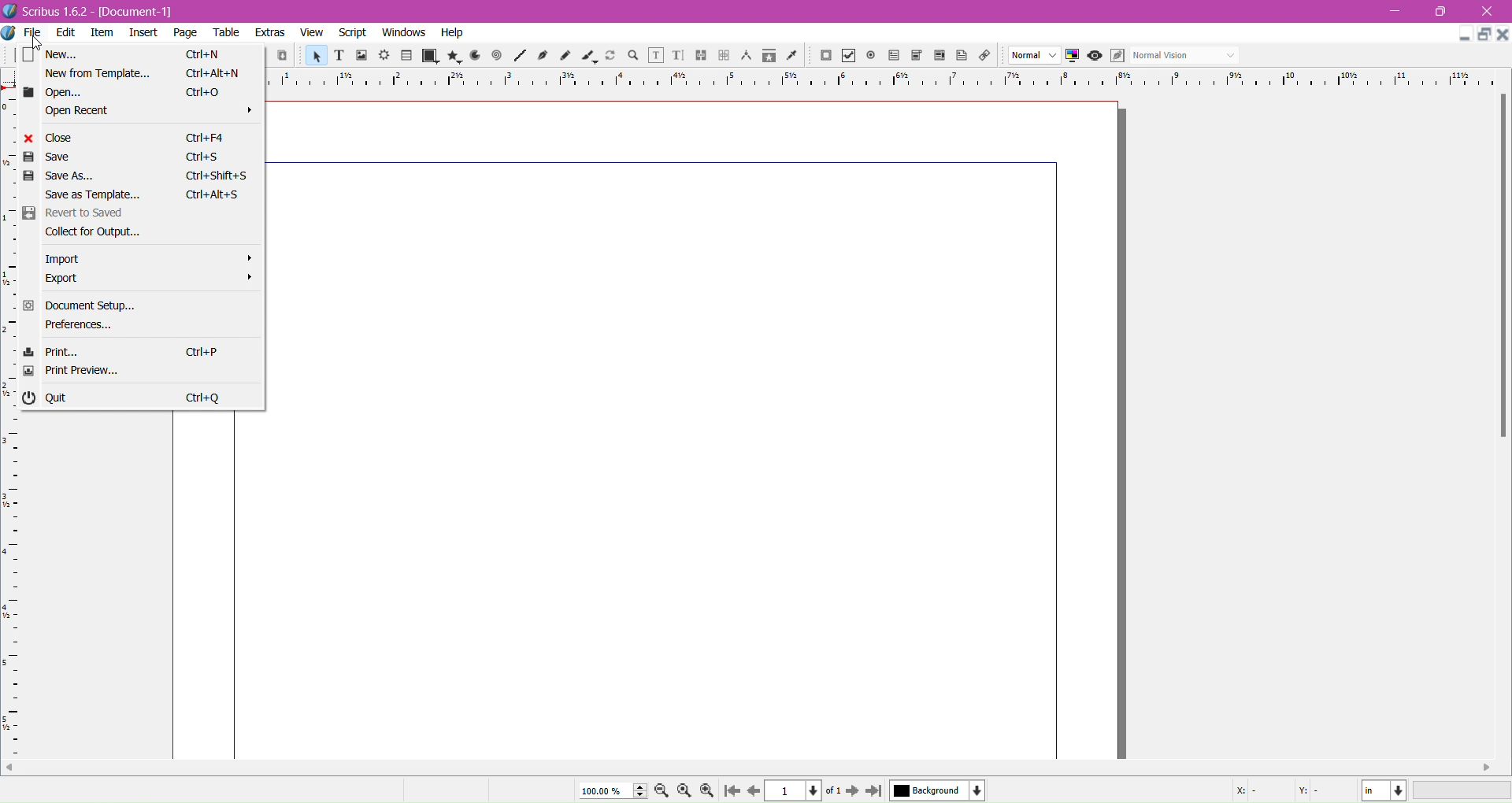 The height and width of the screenshot is (803, 1512). What do you see at coordinates (776, 10) in the screenshot?
I see `Title bar color change after click` at bounding box center [776, 10].